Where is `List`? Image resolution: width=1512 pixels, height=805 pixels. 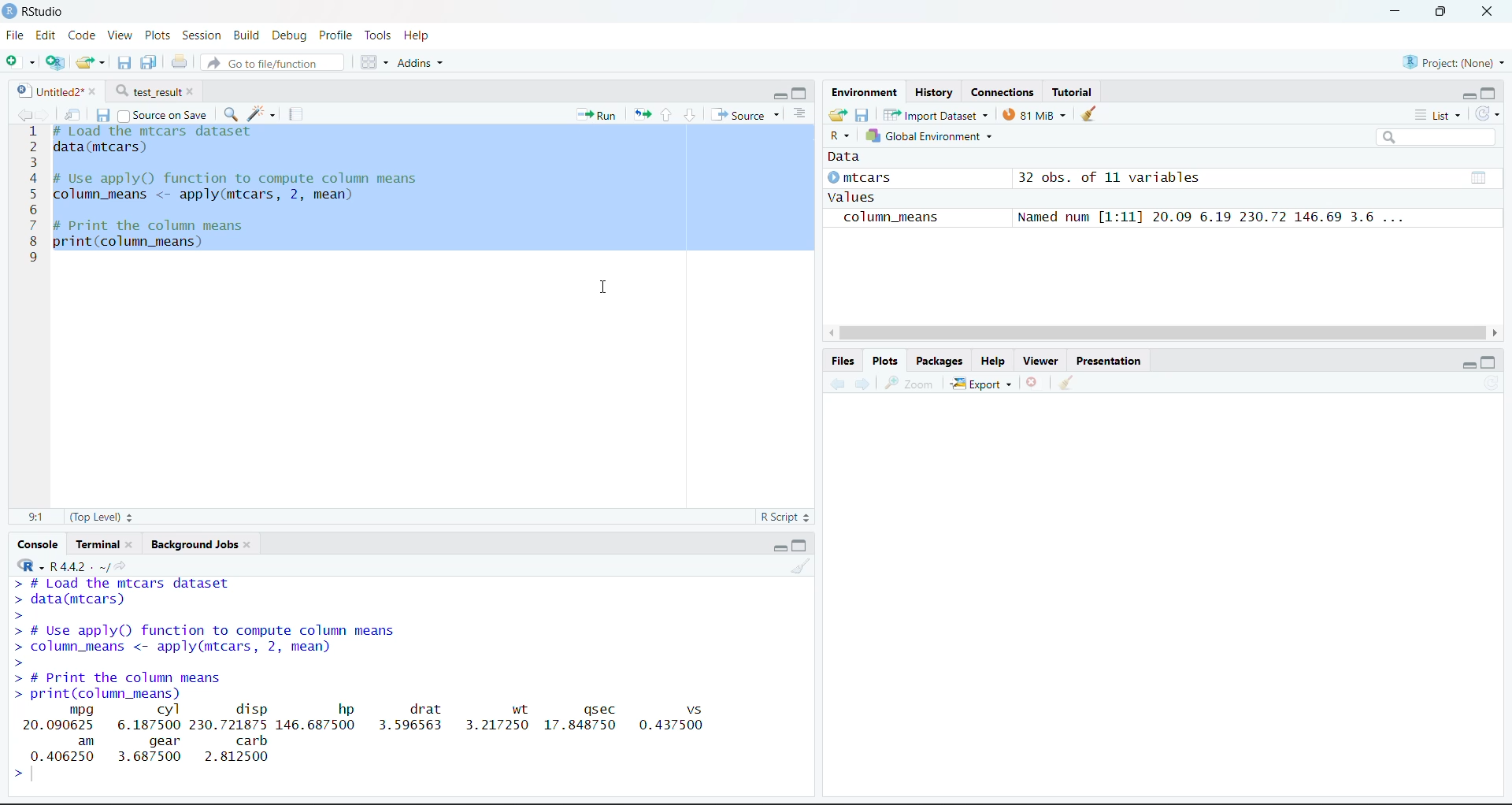
List is located at coordinates (802, 113).